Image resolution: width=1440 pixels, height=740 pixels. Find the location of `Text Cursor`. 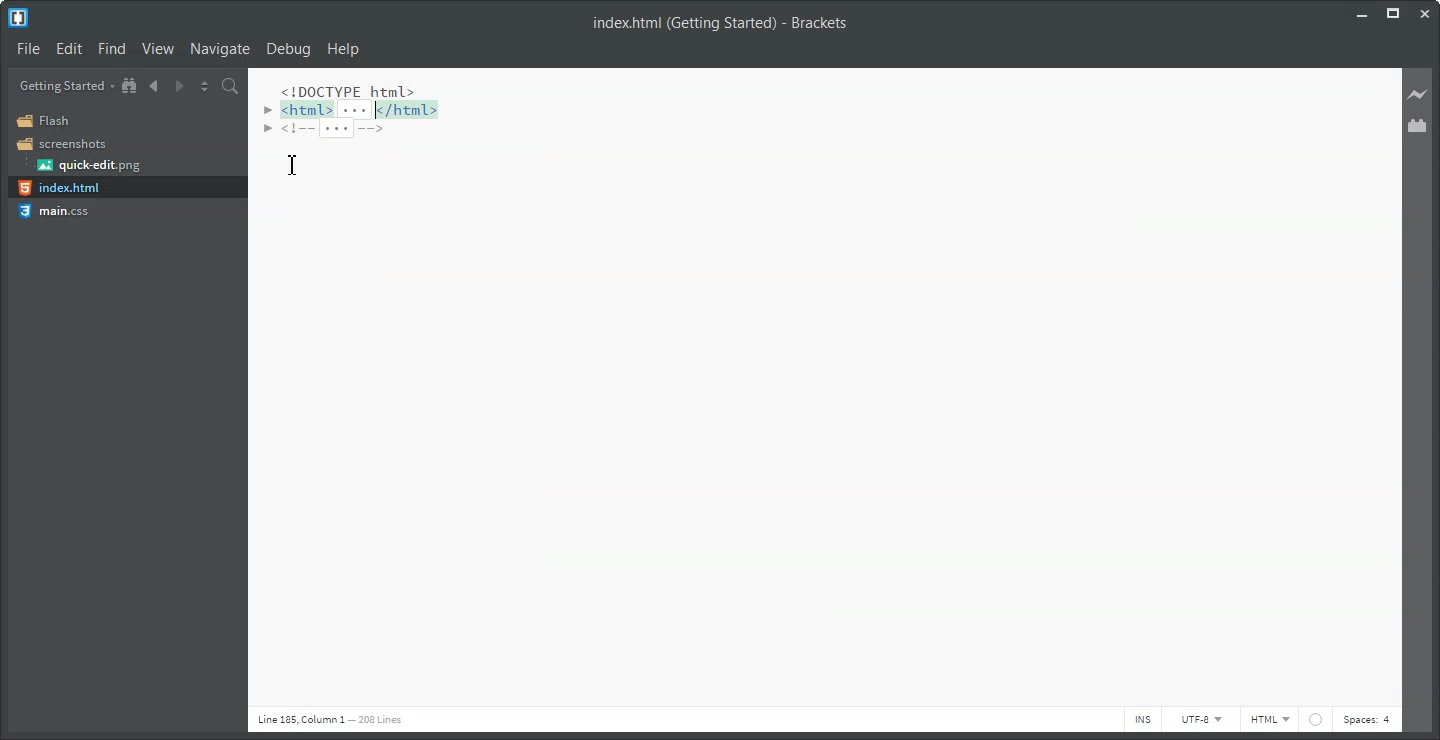

Text Cursor is located at coordinates (294, 165).